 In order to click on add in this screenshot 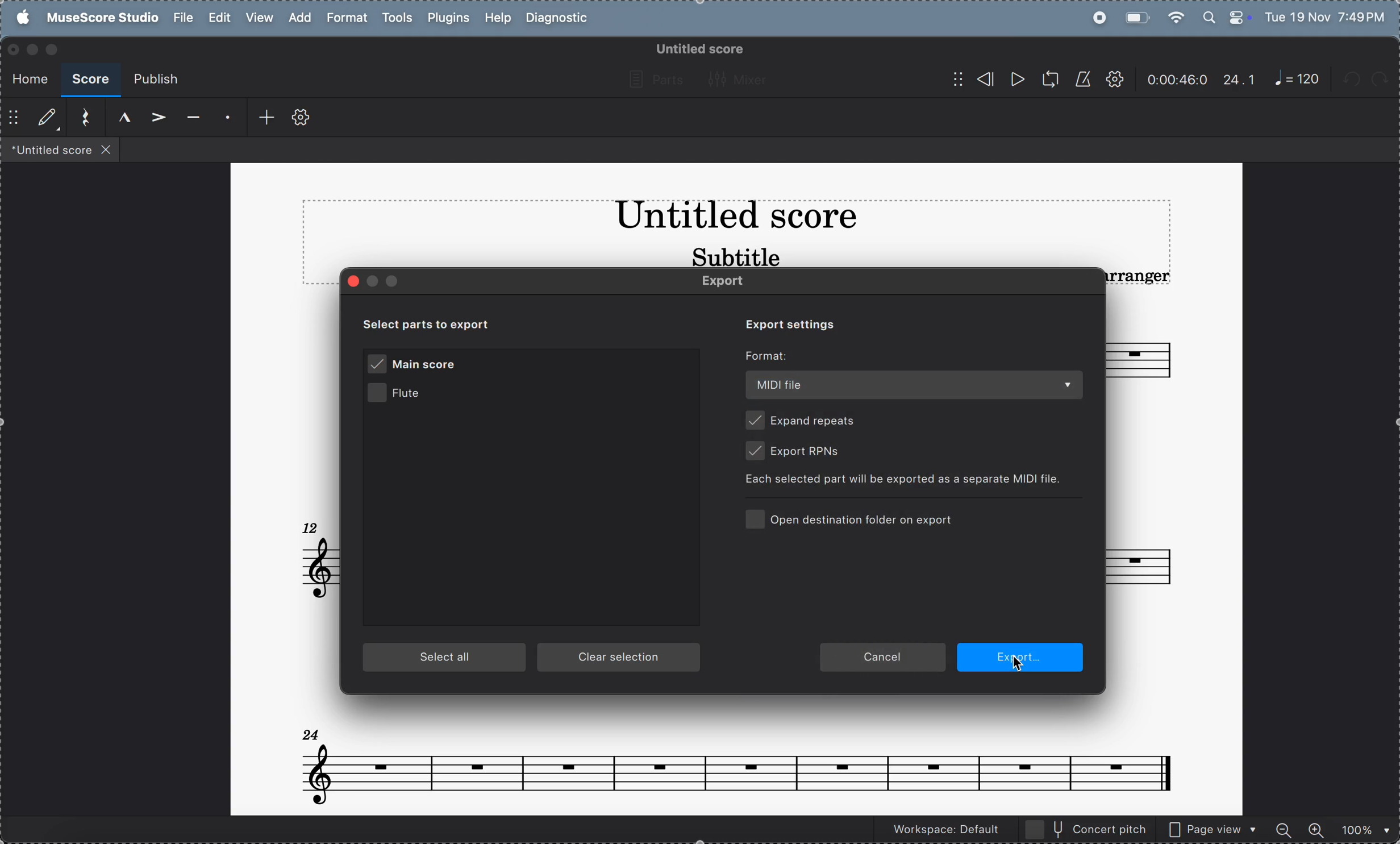, I will do `click(298, 17)`.